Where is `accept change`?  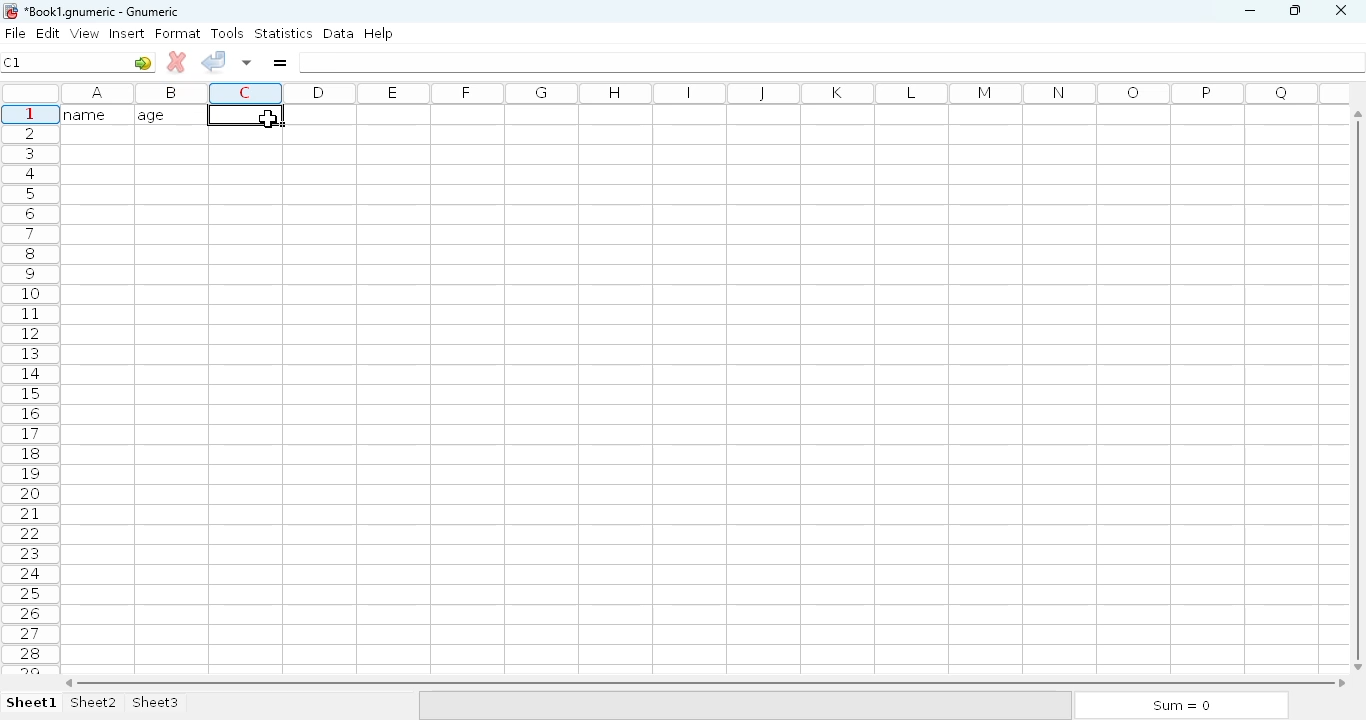
accept change is located at coordinates (213, 60).